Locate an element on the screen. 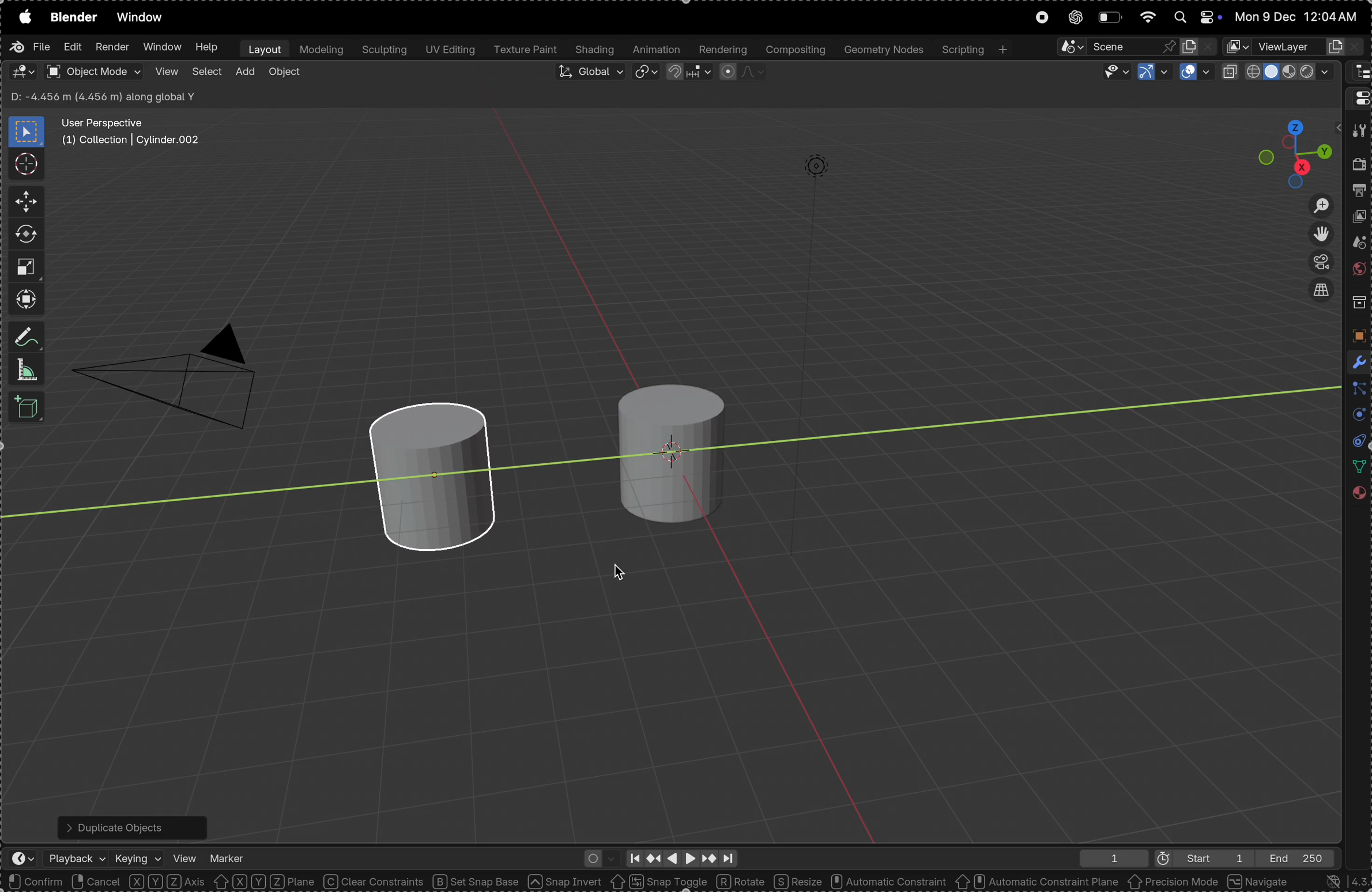  add is located at coordinates (244, 73).